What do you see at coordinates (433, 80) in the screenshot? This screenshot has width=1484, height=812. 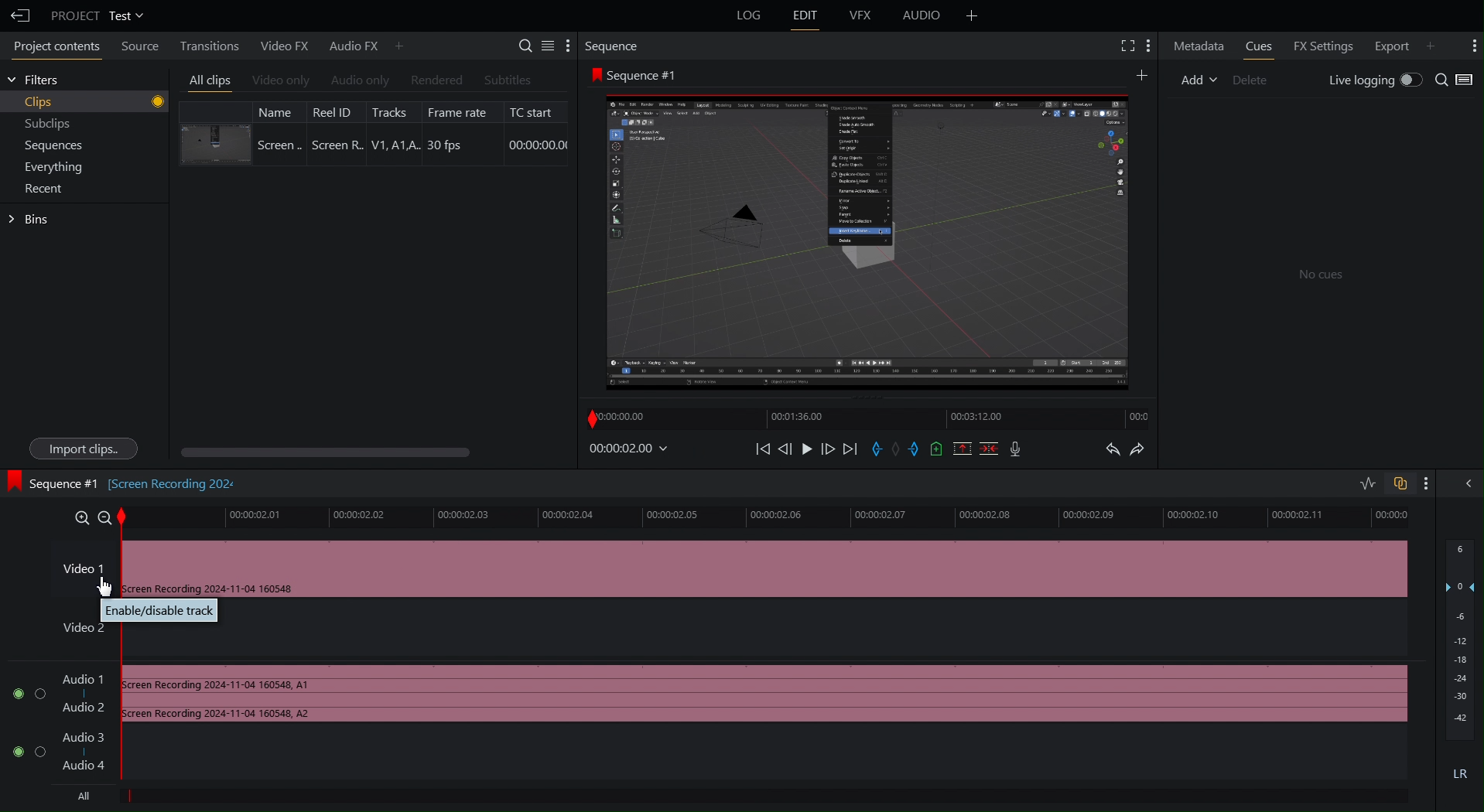 I see `Rendered` at bounding box center [433, 80].